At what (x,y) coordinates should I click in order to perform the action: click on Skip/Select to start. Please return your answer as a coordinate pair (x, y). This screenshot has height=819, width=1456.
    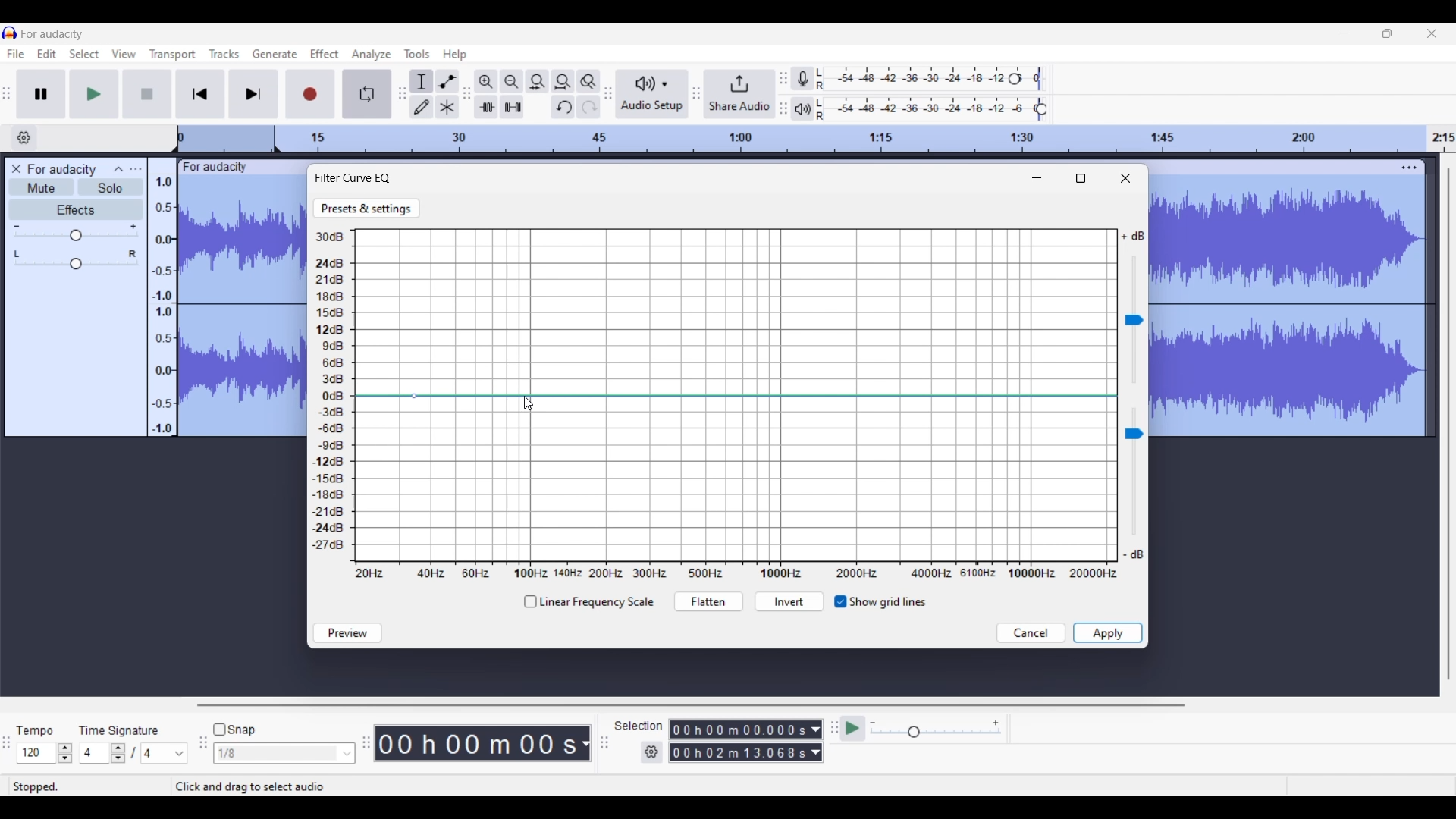
    Looking at the image, I should click on (200, 94).